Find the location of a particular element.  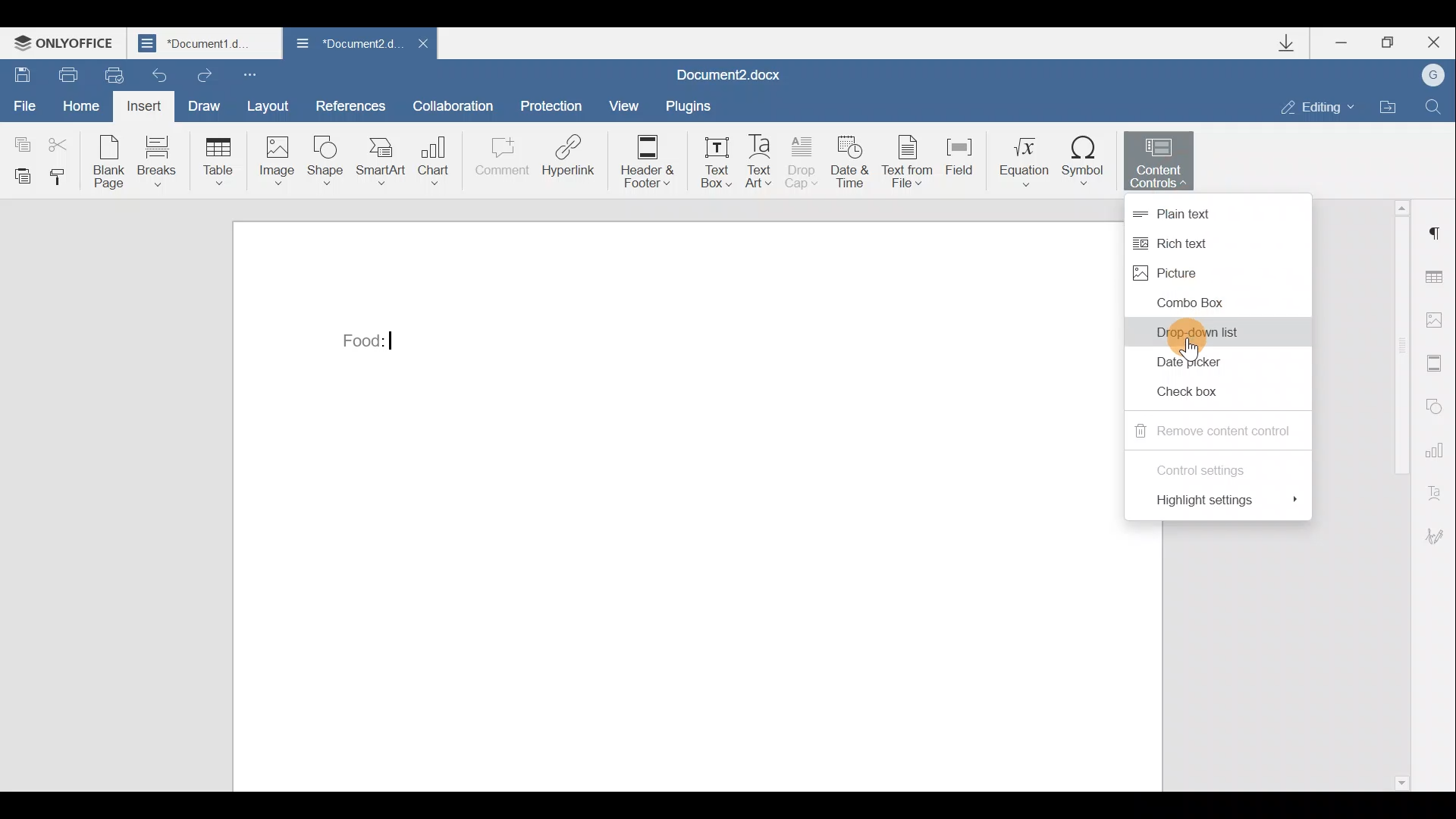

Chart is located at coordinates (437, 161).